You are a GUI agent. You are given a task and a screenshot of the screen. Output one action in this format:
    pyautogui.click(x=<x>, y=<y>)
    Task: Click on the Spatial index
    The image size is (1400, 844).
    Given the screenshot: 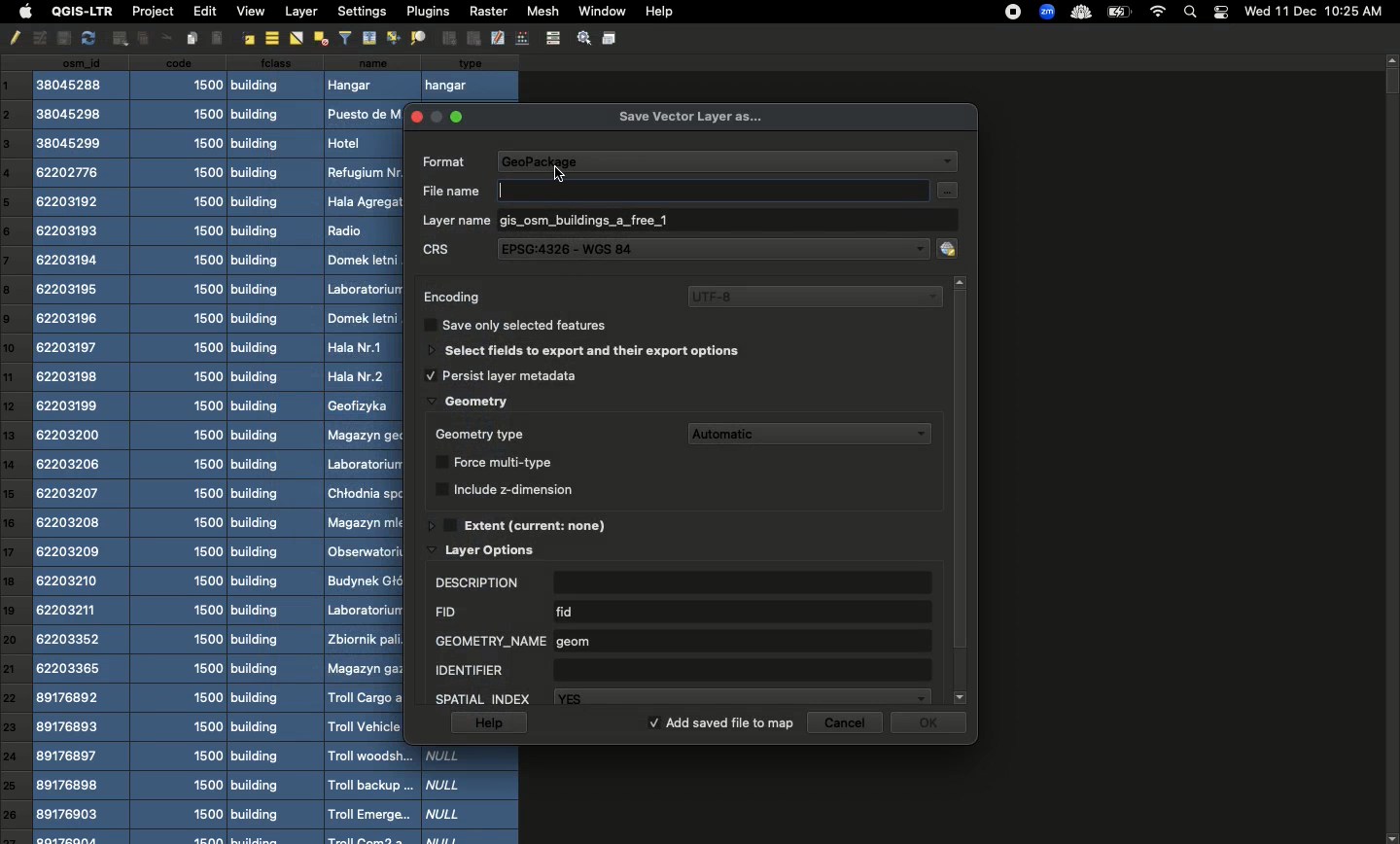 What is the action you would take?
    pyautogui.click(x=682, y=696)
    